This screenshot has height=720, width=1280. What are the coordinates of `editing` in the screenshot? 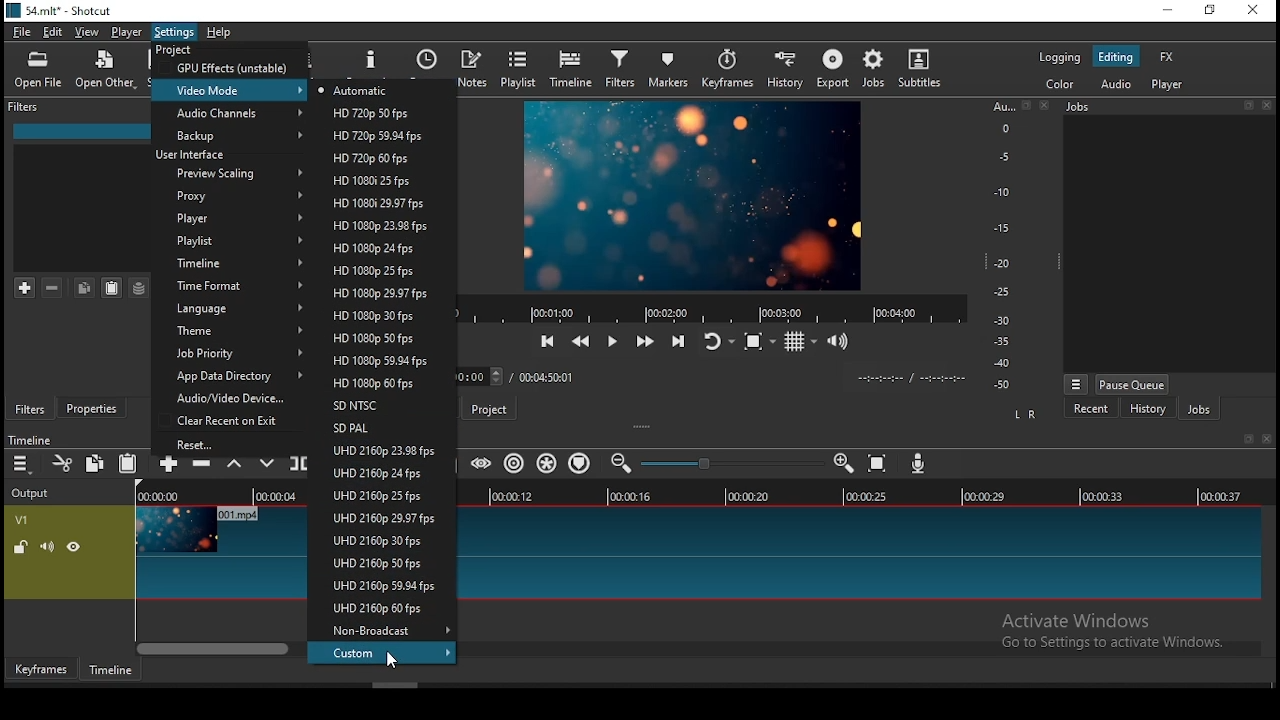 It's located at (1116, 57).